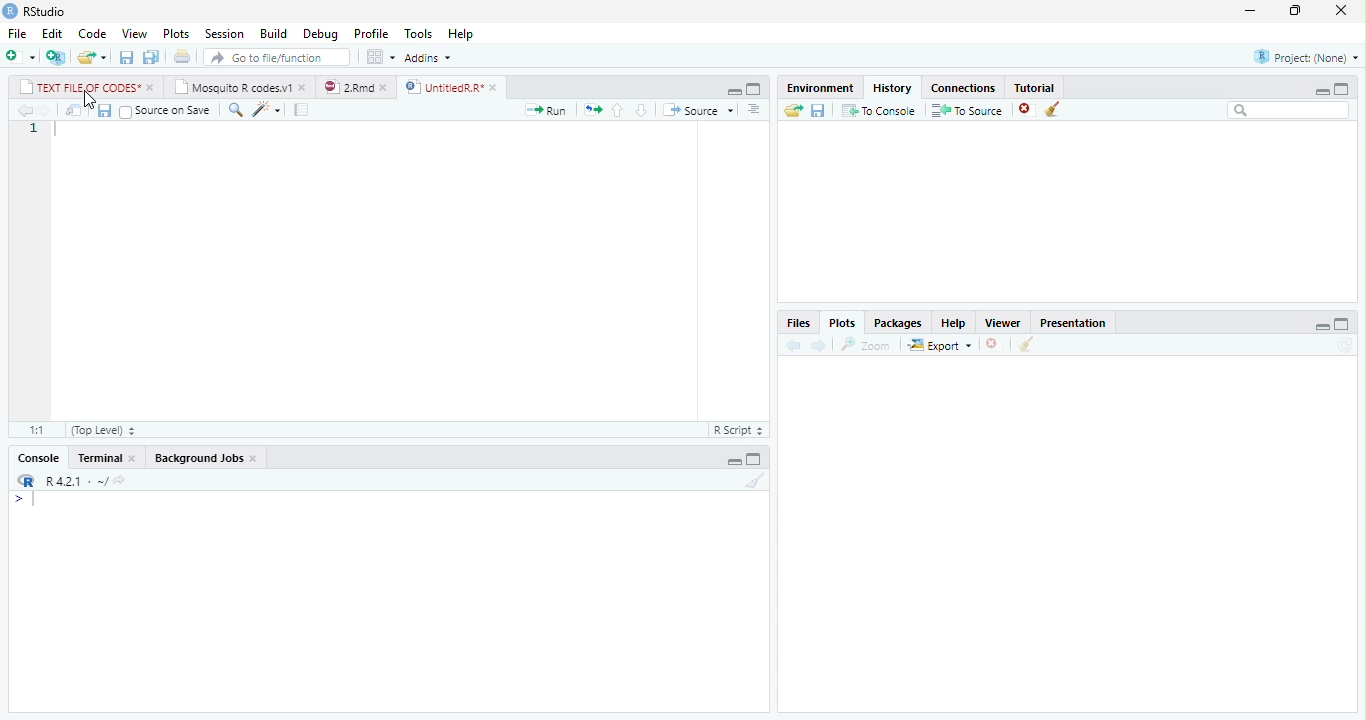  I want to click on RStudio, so click(46, 12).